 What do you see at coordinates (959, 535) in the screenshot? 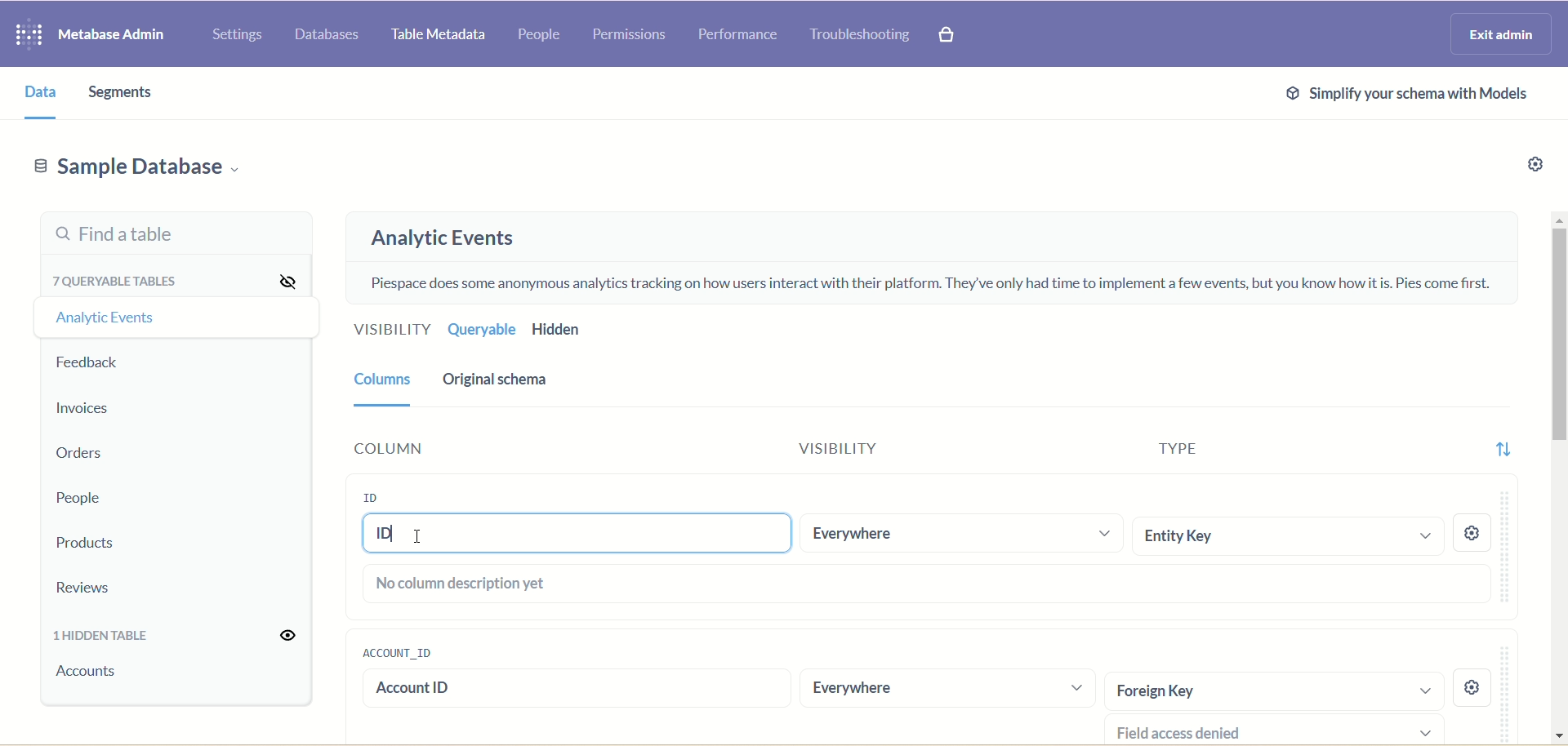
I see `Everywhere` at bounding box center [959, 535].